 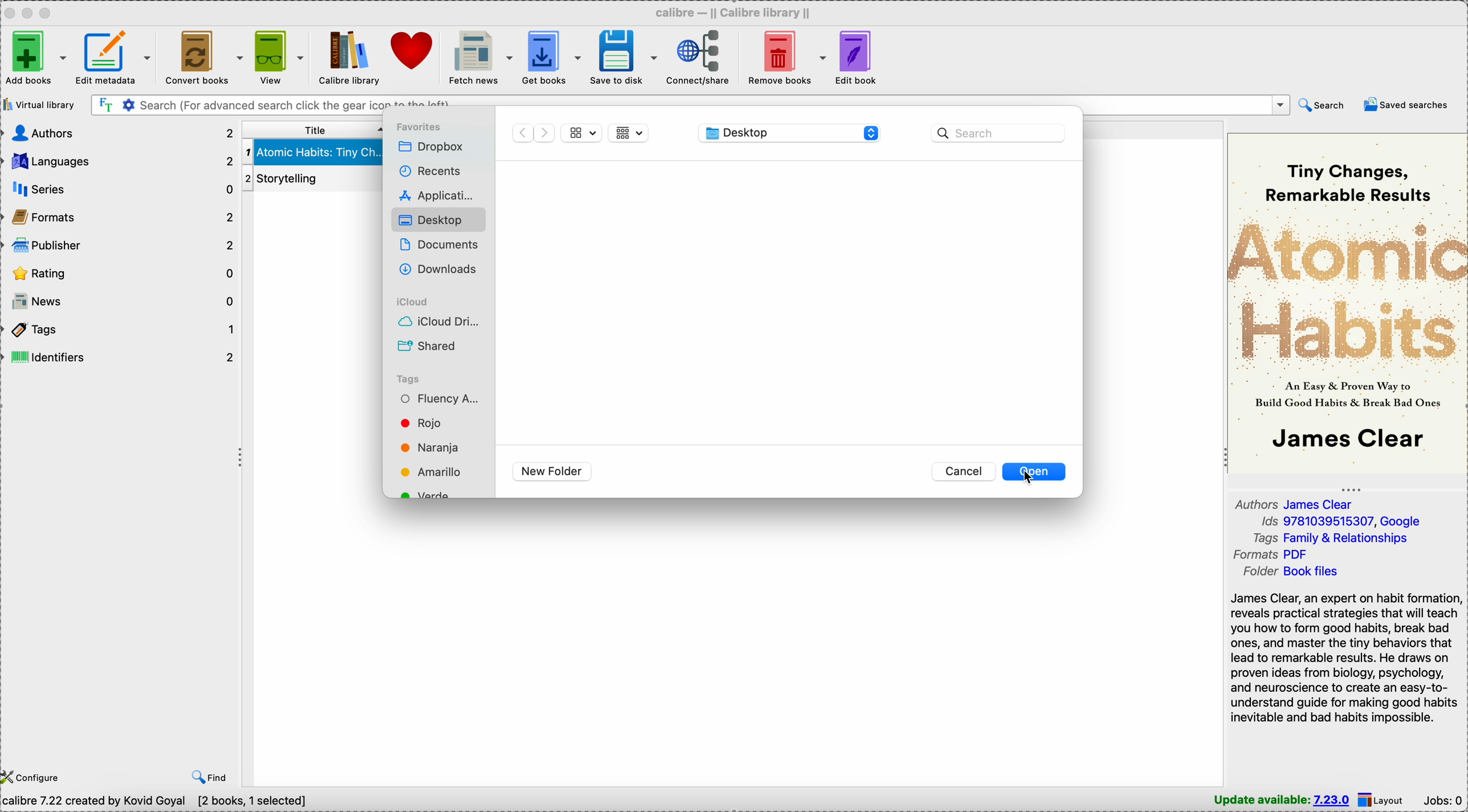 I want to click on back, so click(x=522, y=134).